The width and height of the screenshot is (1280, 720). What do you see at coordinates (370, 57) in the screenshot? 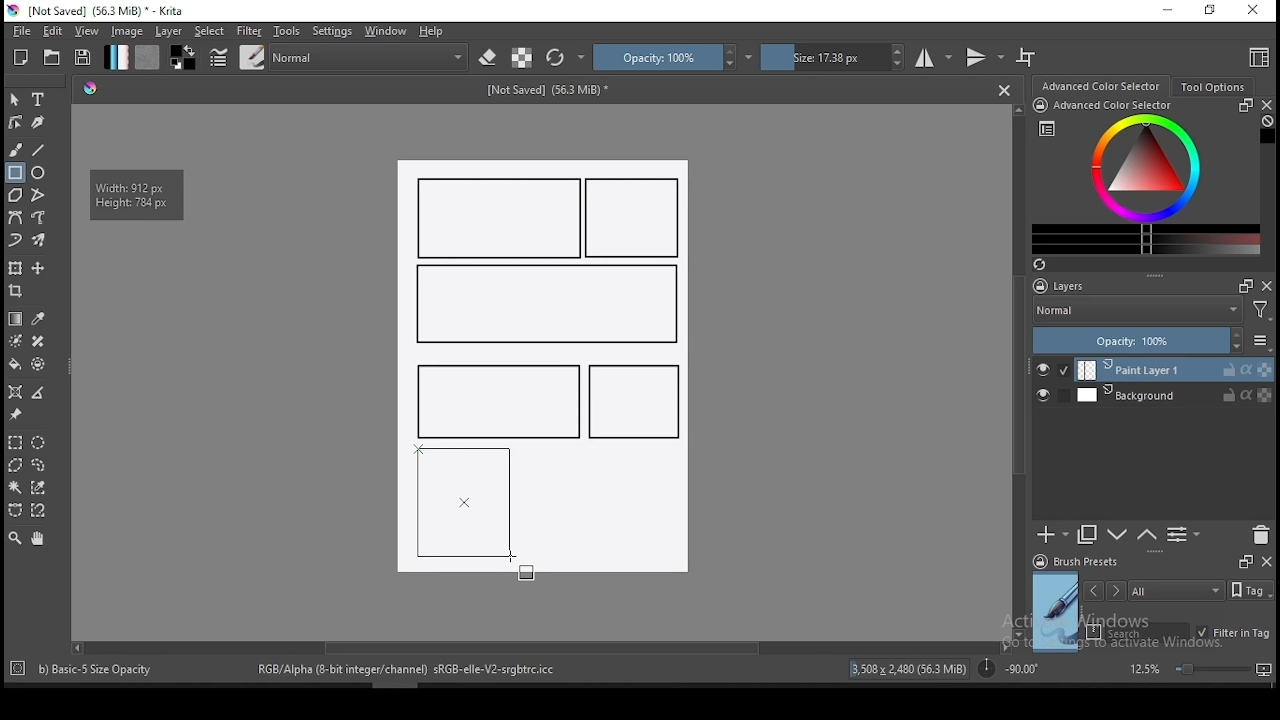
I see `blending mode` at bounding box center [370, 57].